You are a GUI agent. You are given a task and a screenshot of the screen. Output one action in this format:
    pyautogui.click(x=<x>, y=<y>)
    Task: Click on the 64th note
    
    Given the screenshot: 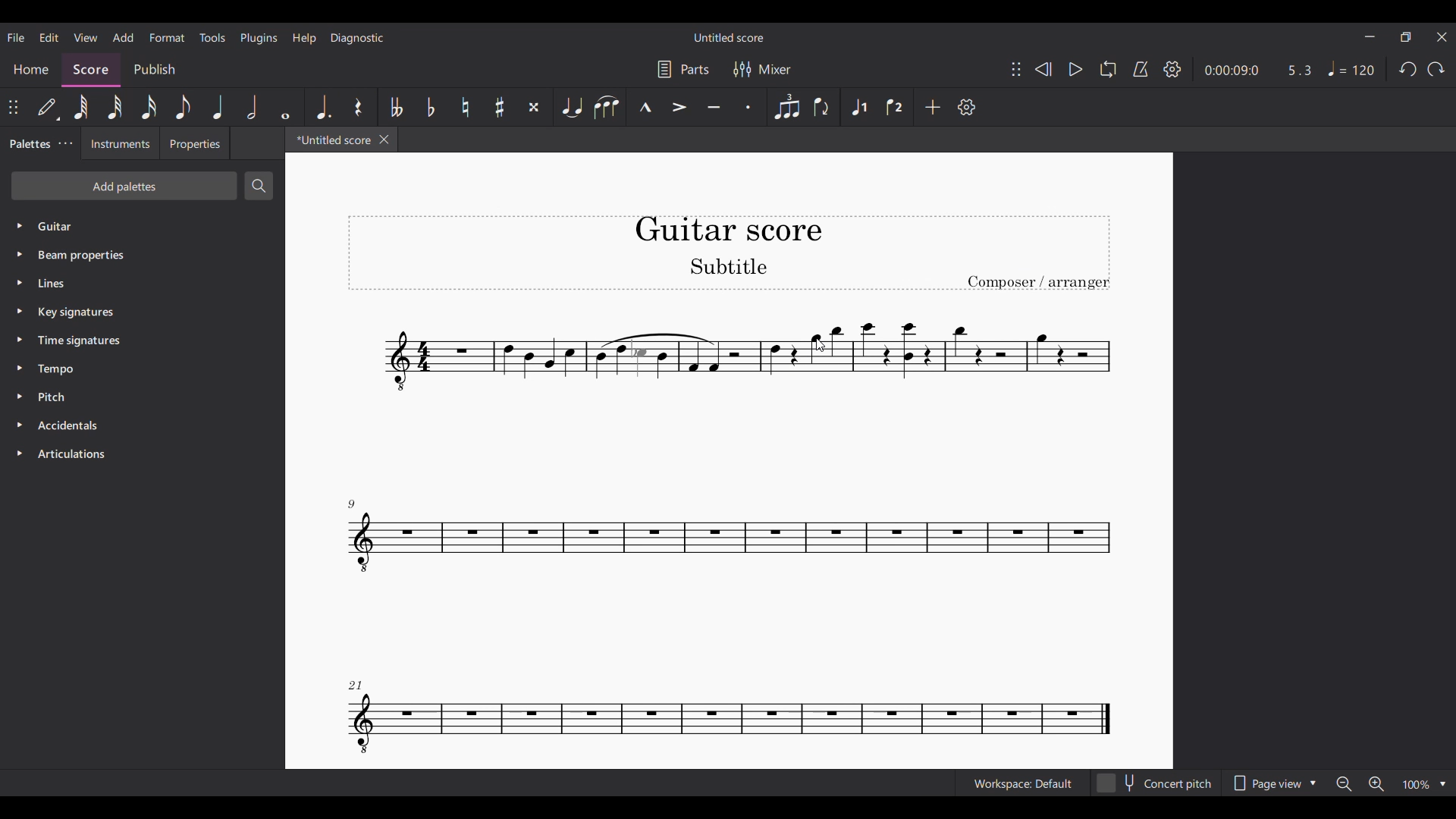 What is the action you would take?
    pyautogui.click(x=81, y=107)
    